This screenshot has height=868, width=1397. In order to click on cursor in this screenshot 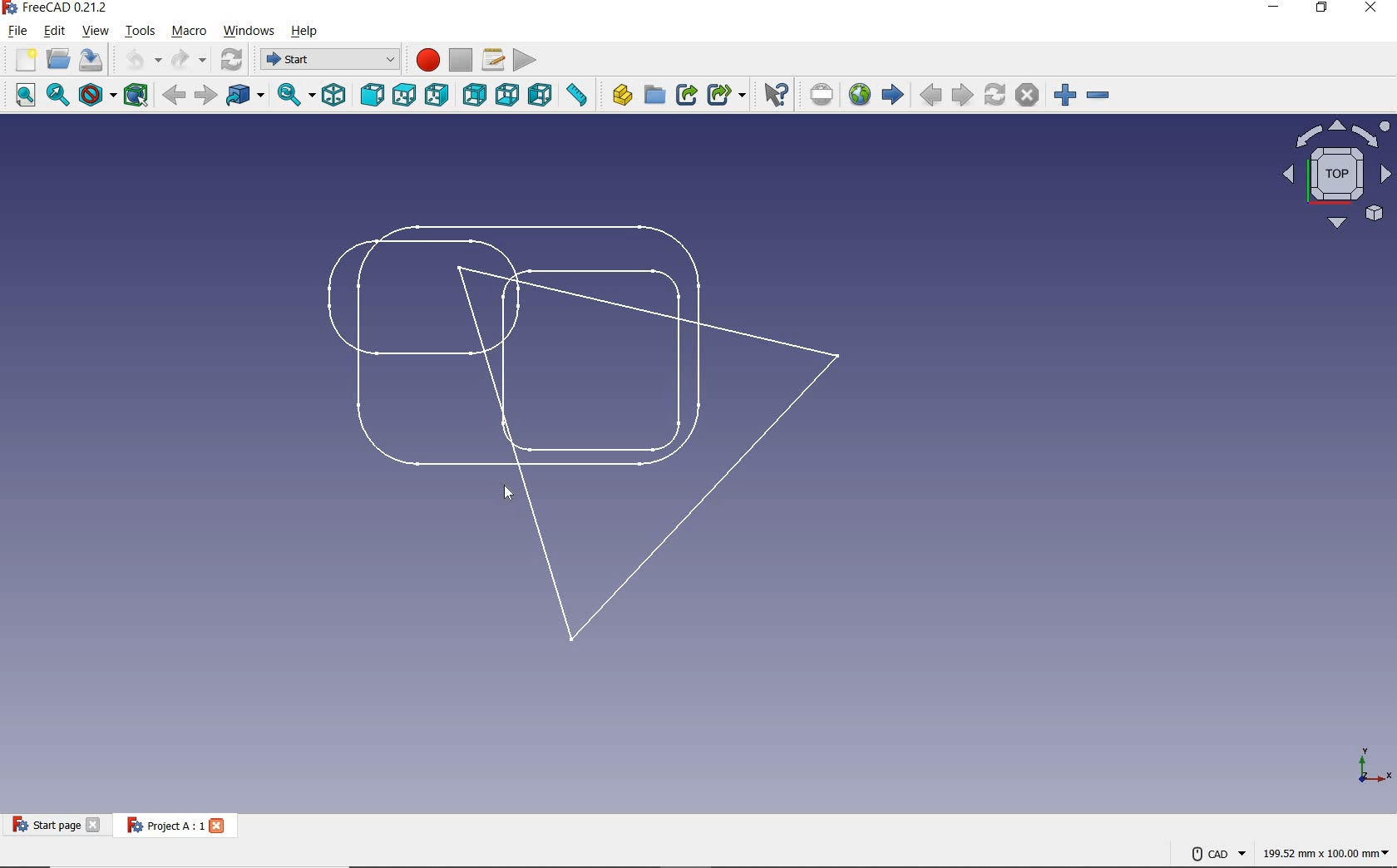, I will do `click(510, 491)`.